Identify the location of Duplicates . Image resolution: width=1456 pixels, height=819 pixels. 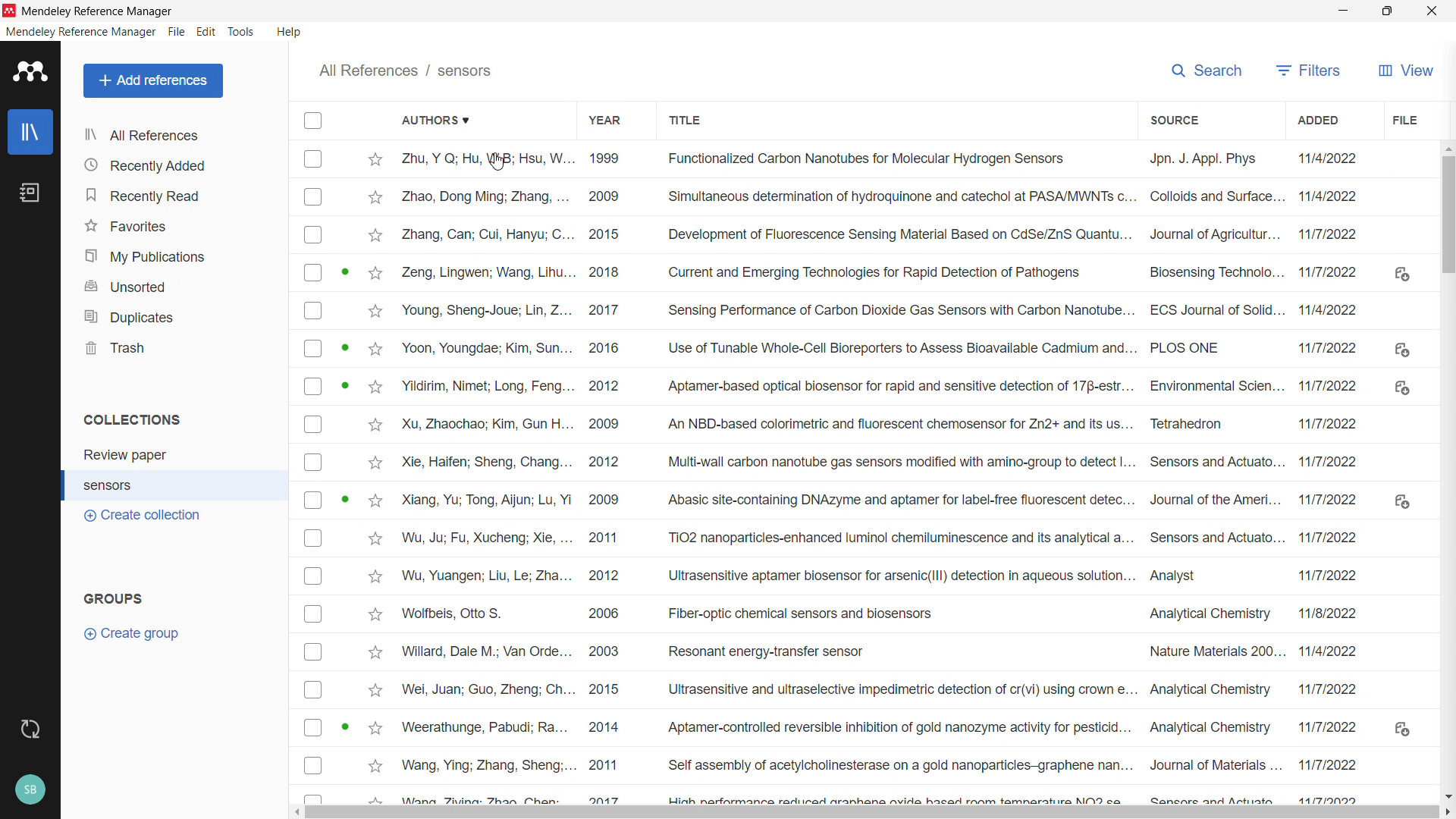
(180, 316).